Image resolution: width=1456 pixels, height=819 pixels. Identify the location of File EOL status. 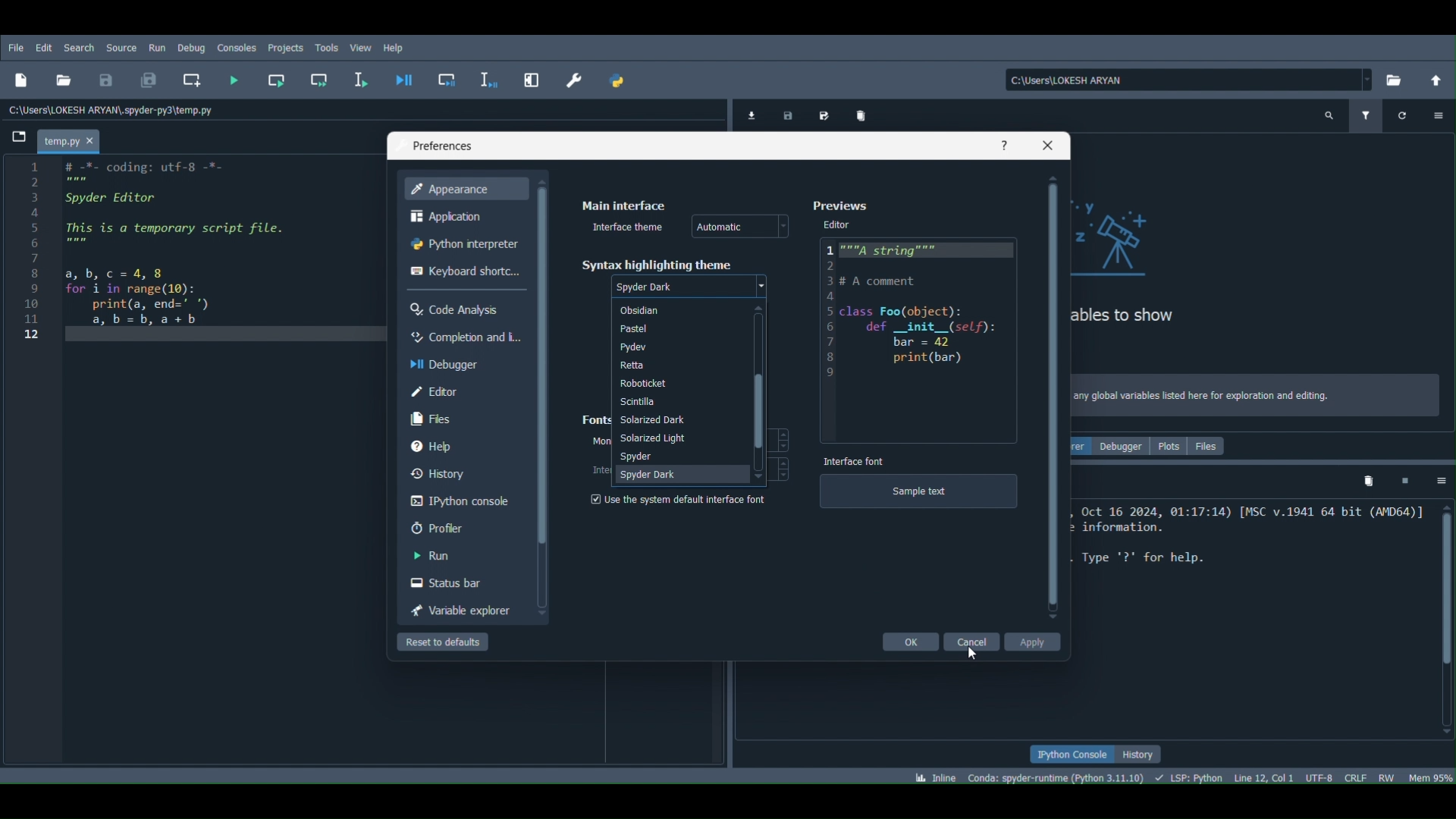
(1354, 779).